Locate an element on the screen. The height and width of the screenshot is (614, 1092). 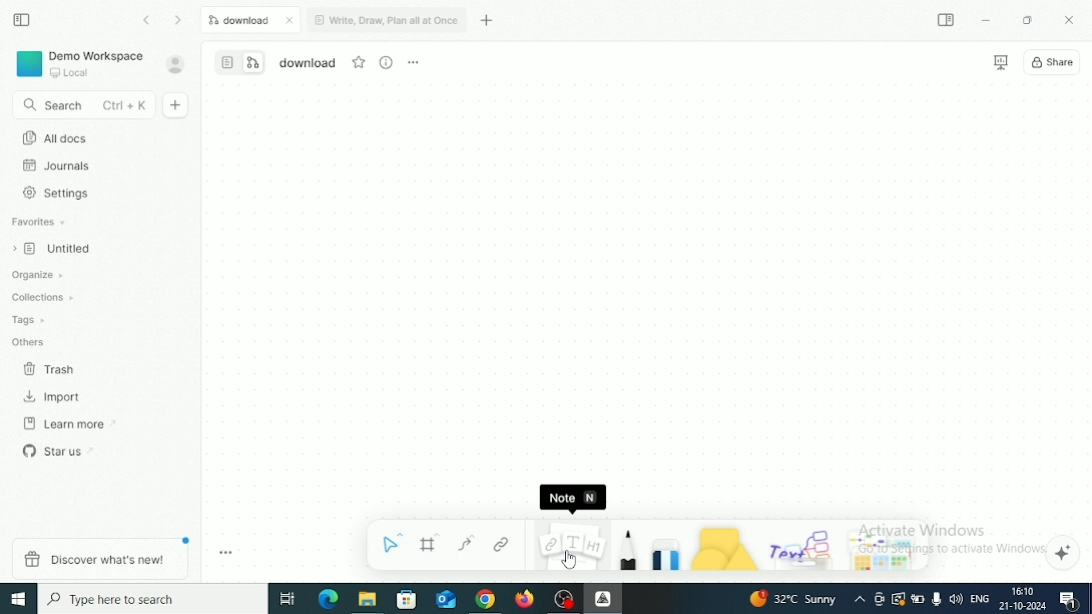
Meet Now is located at coordinates (879, 599).